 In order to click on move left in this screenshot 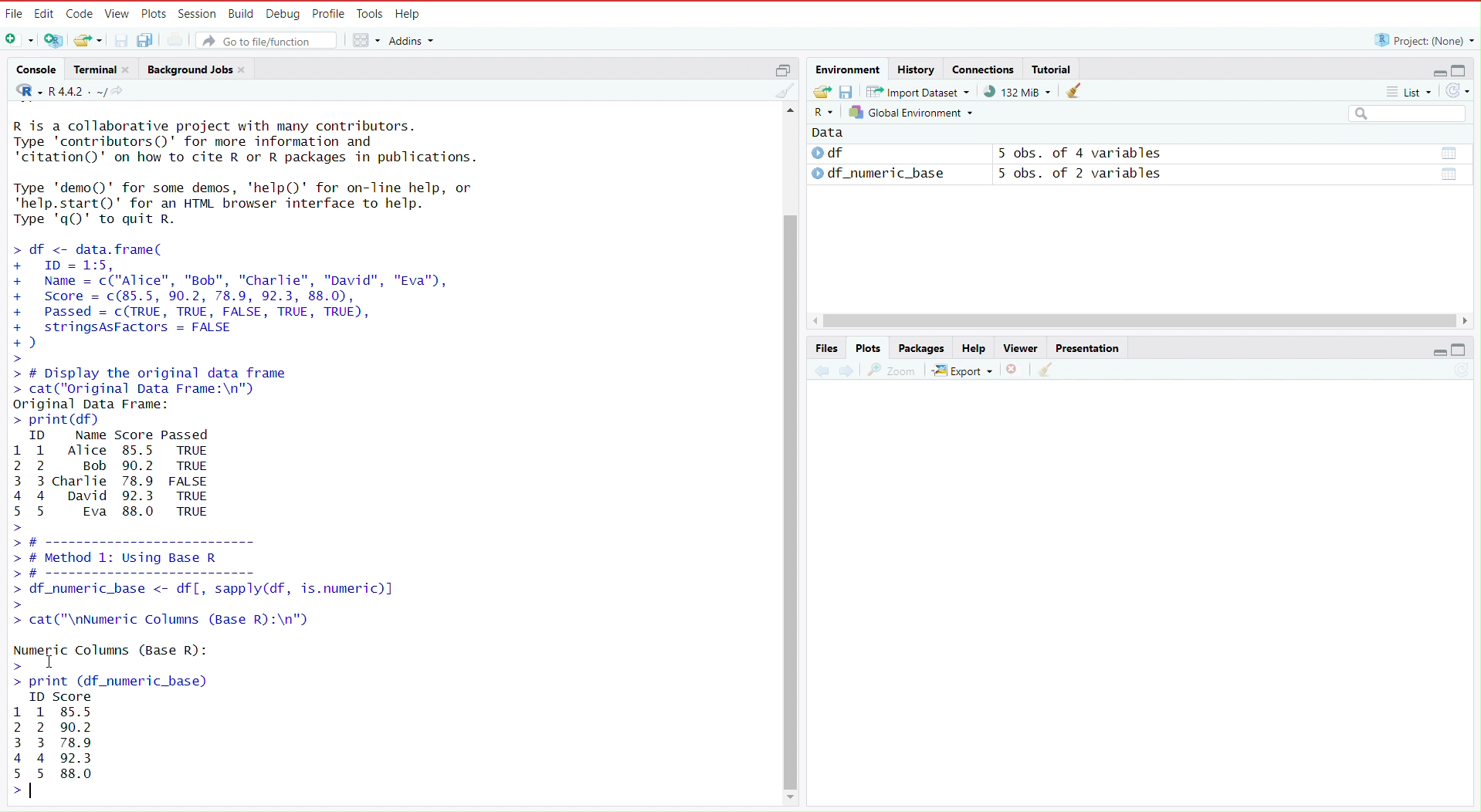, I will do `click(816, 323)`.